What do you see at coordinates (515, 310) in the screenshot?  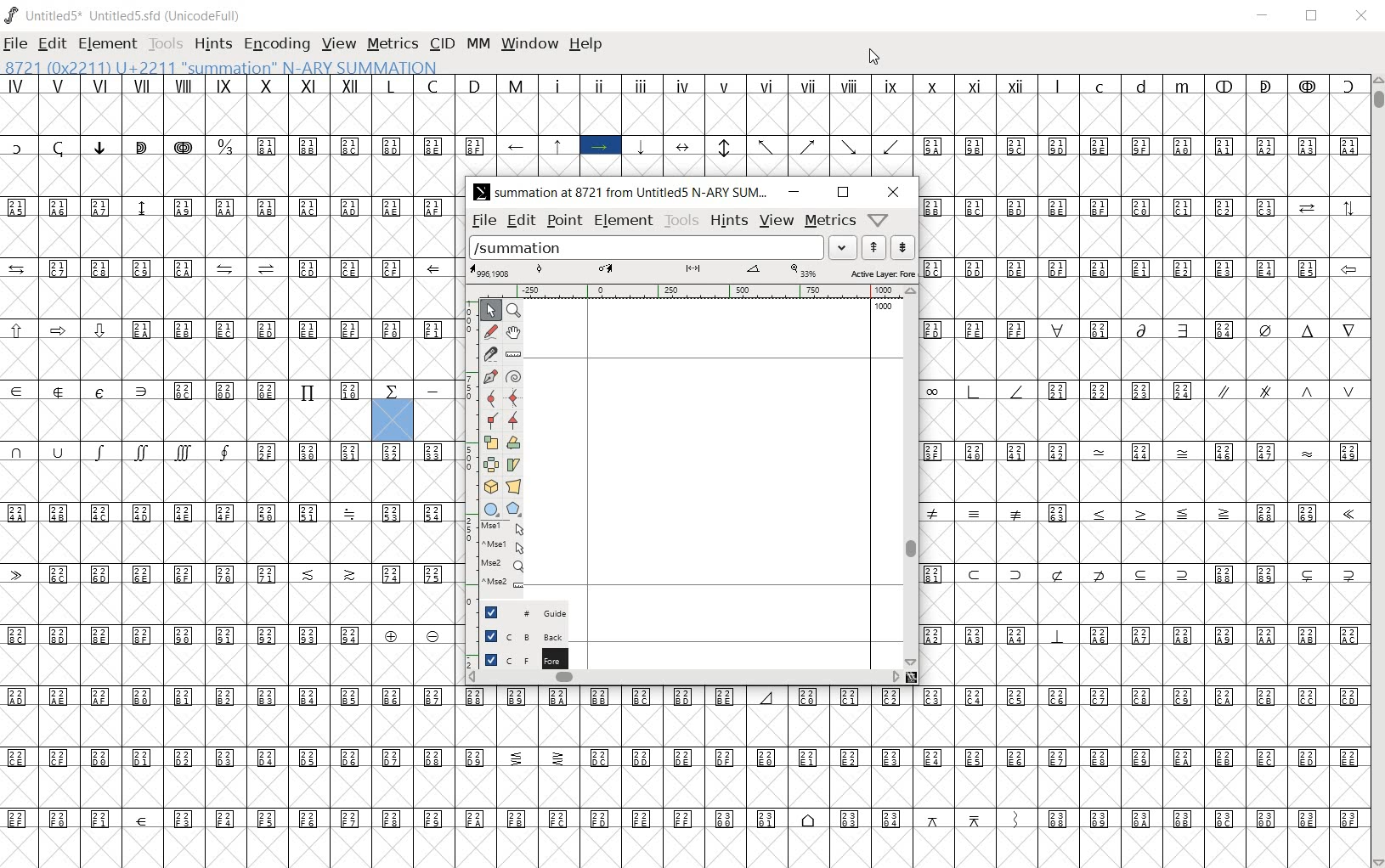 I see `MAGNIFY` at bounding box center [515, 310].